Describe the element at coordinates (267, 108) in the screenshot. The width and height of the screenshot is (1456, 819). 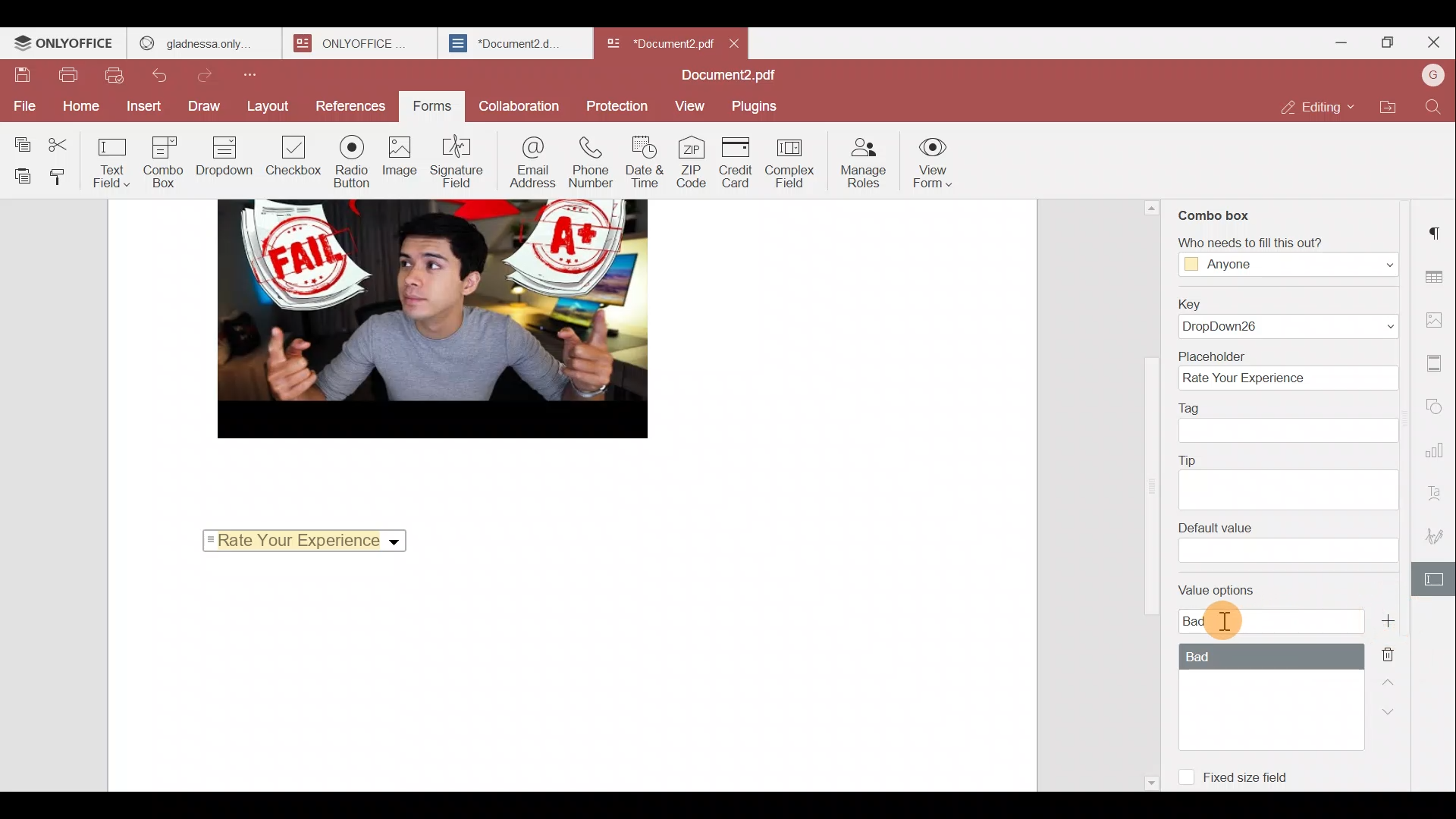
I see `Layout` at that location.